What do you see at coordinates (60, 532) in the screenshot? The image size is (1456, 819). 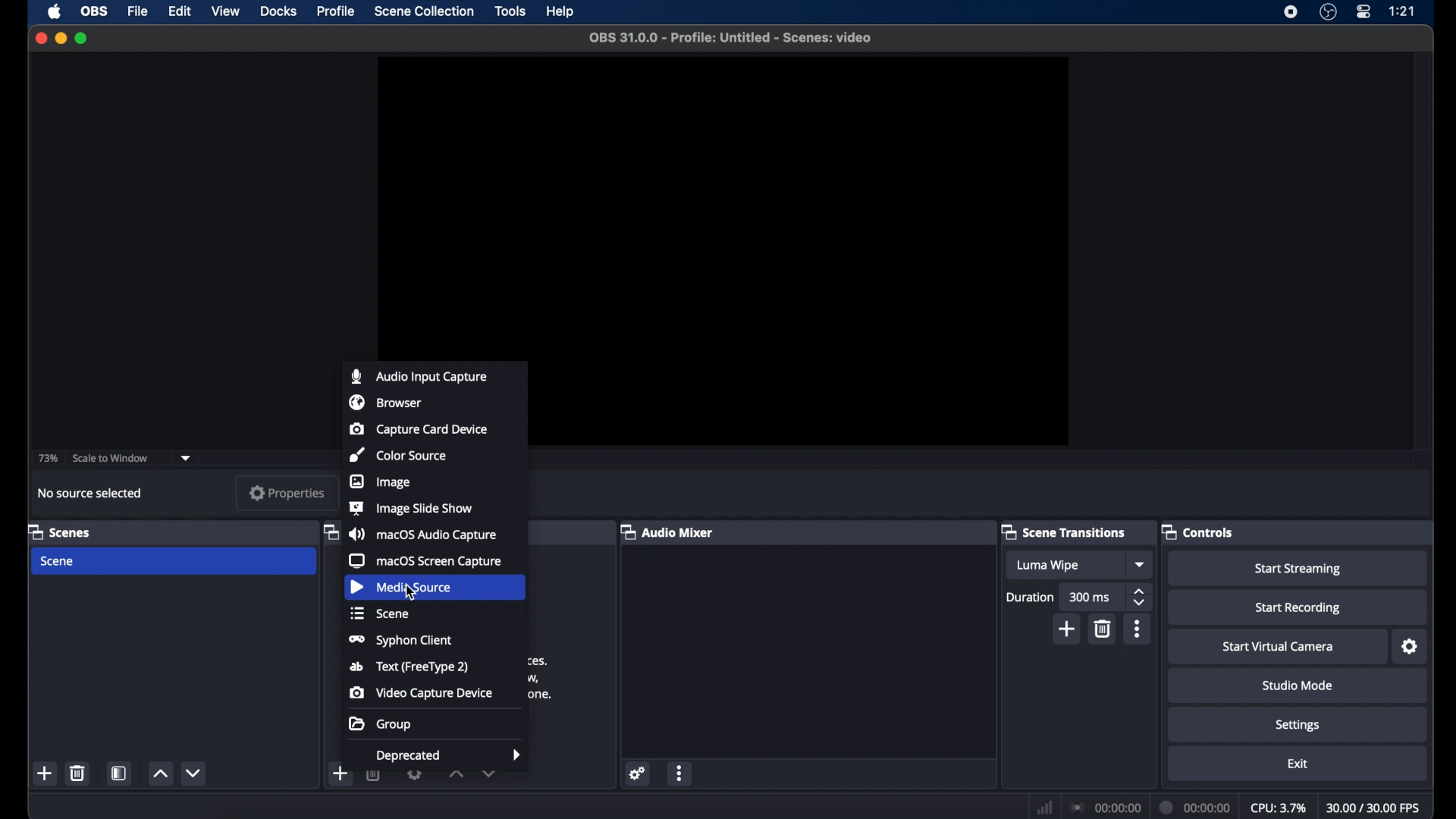 I see `scenes` at bounding box center [60, 532].